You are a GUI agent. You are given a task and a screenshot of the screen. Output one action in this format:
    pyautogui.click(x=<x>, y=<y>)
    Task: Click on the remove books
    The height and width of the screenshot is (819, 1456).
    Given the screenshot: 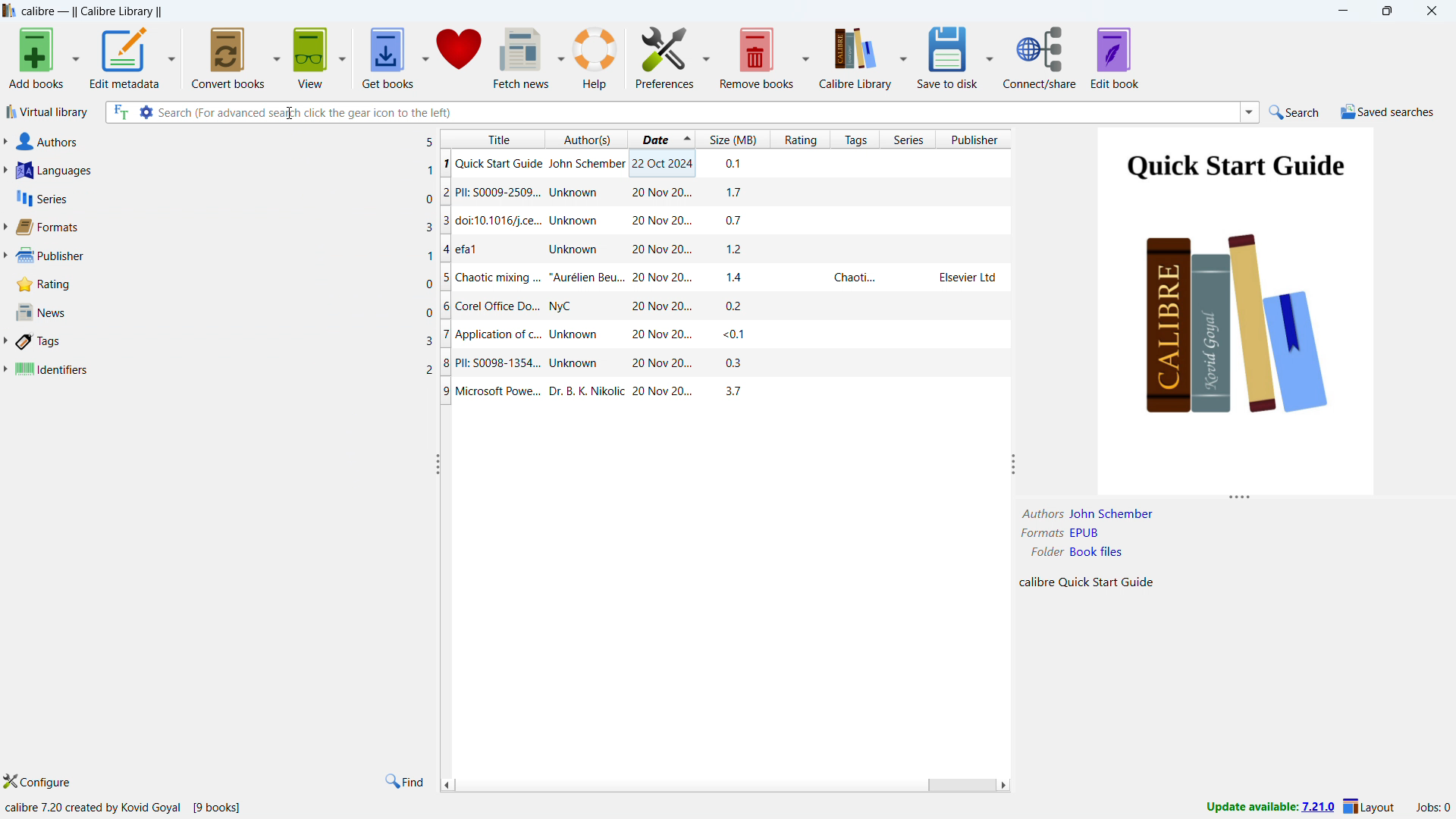 What is the action you would take?
    pyautogui.click(x=758, y=57)
    